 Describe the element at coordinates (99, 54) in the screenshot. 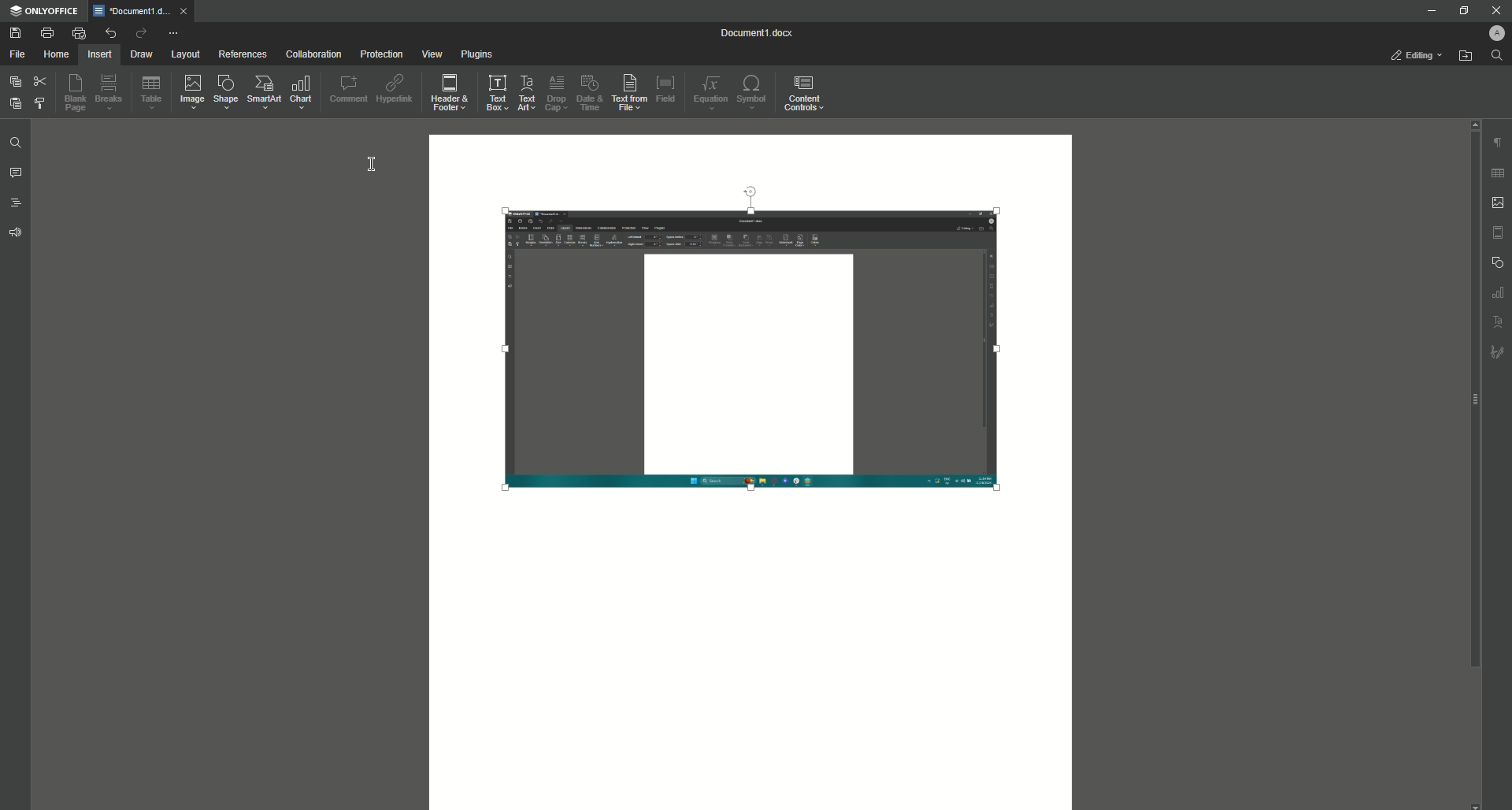

I see `Insert` at that location.